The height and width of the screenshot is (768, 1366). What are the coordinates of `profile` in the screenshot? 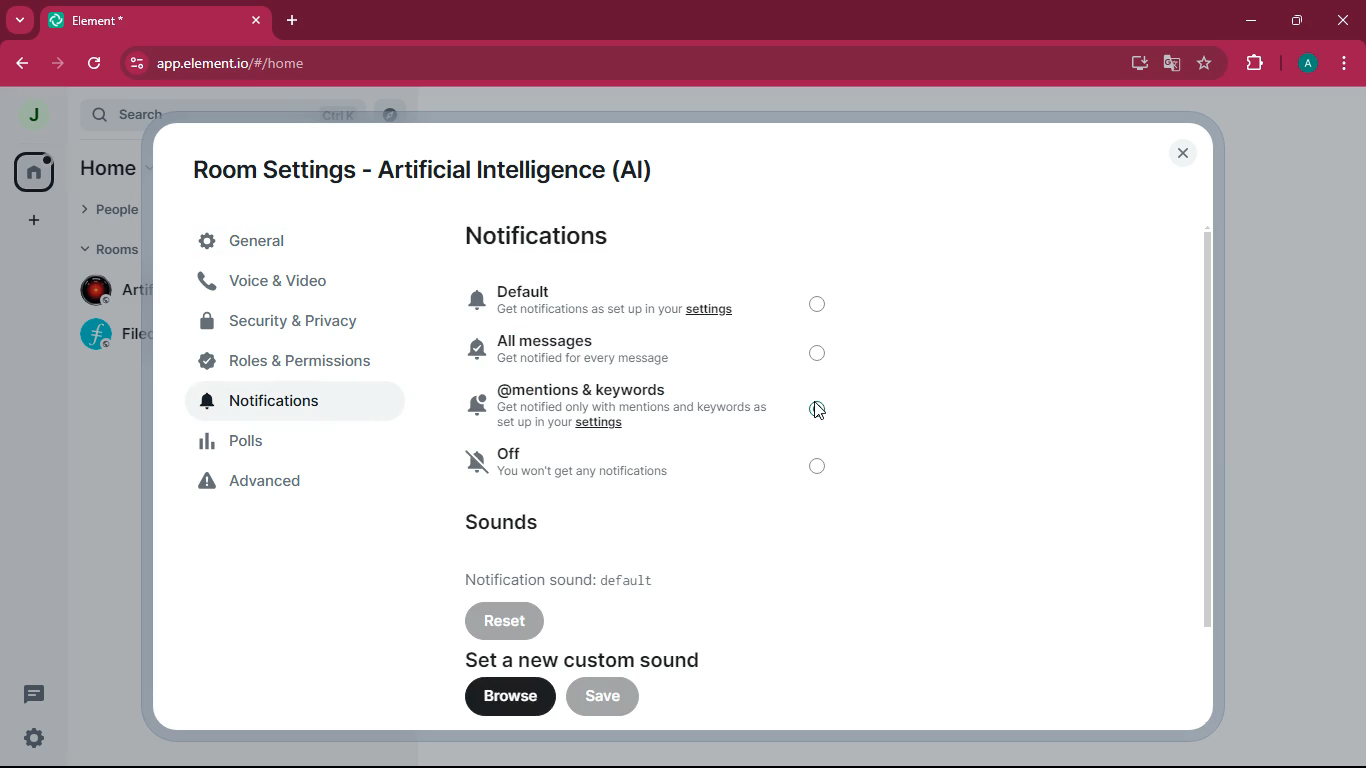 It's located at (1309, 65).